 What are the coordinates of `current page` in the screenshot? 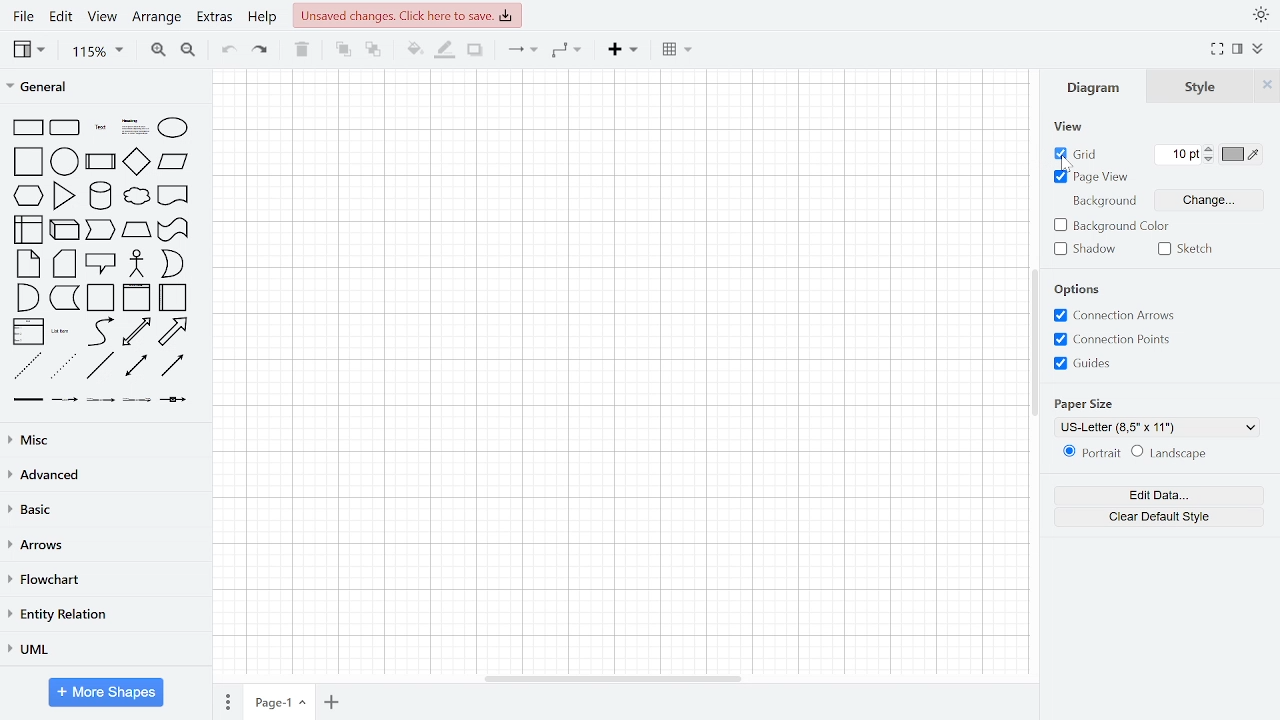 It's located at (281, 701).